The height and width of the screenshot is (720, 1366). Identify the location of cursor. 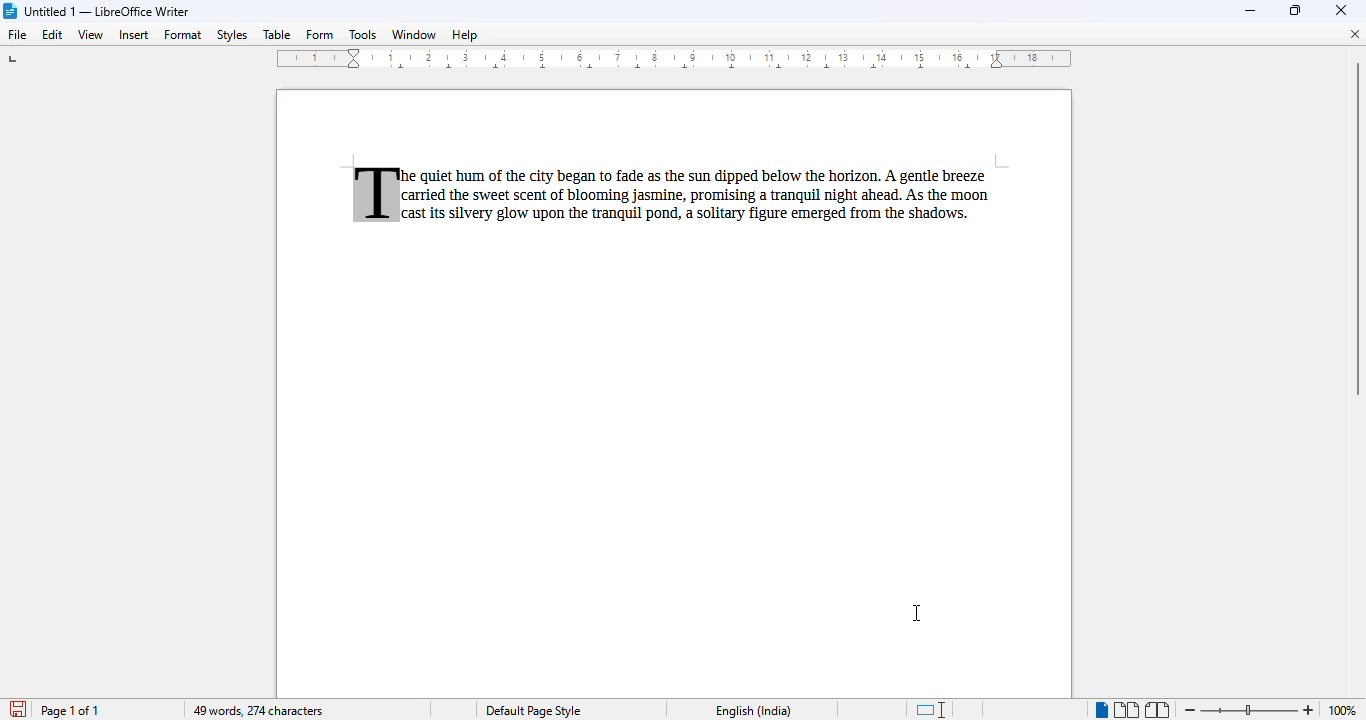
(918, 615).